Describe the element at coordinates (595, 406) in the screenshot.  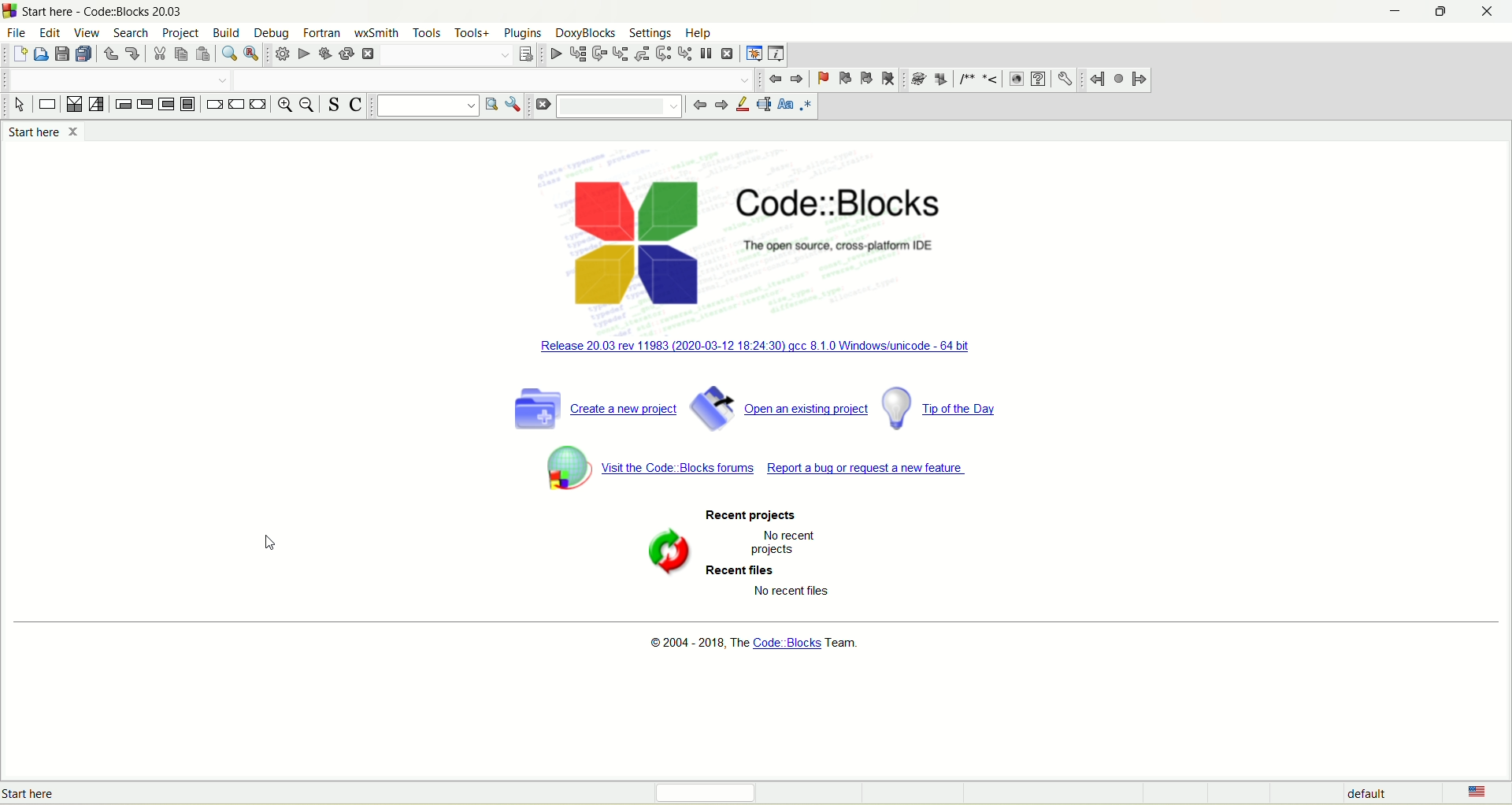
I see `create a new project` at that location.